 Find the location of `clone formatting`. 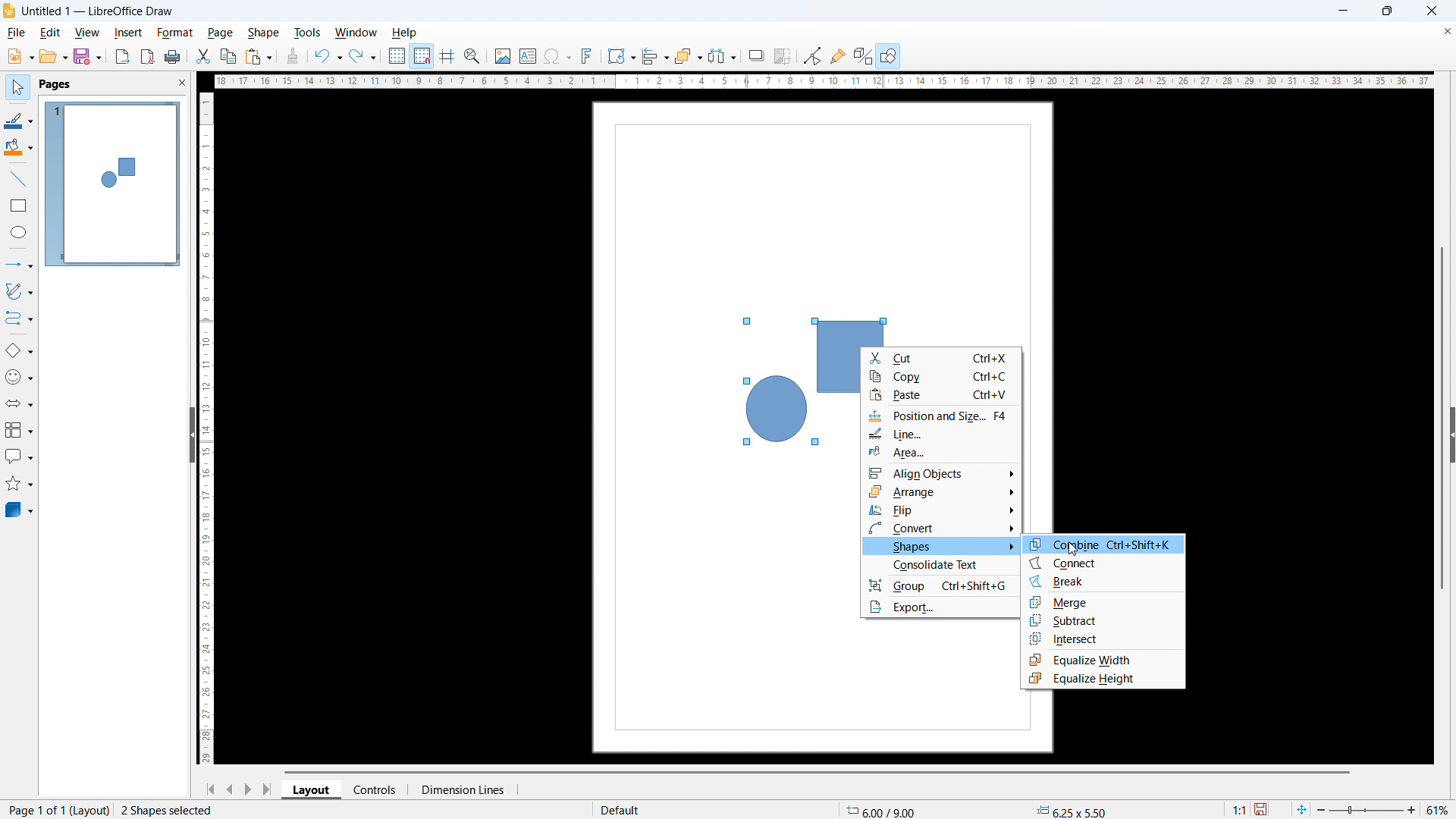

clone formatting is located at coordinates (293, 56).